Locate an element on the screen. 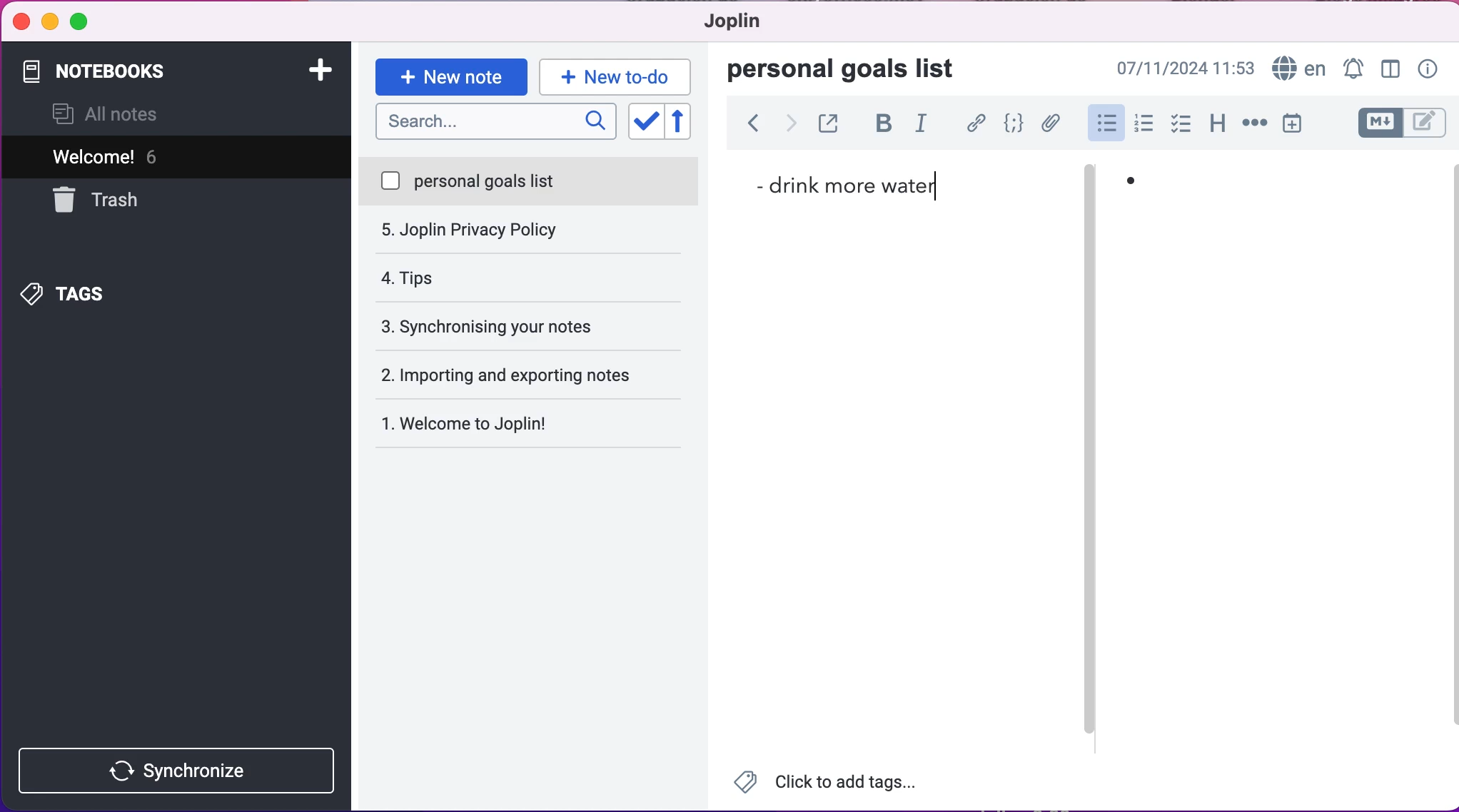 This screenshot has width=1459, height=812. bulleted lists is located at coordinates (1105, 123).